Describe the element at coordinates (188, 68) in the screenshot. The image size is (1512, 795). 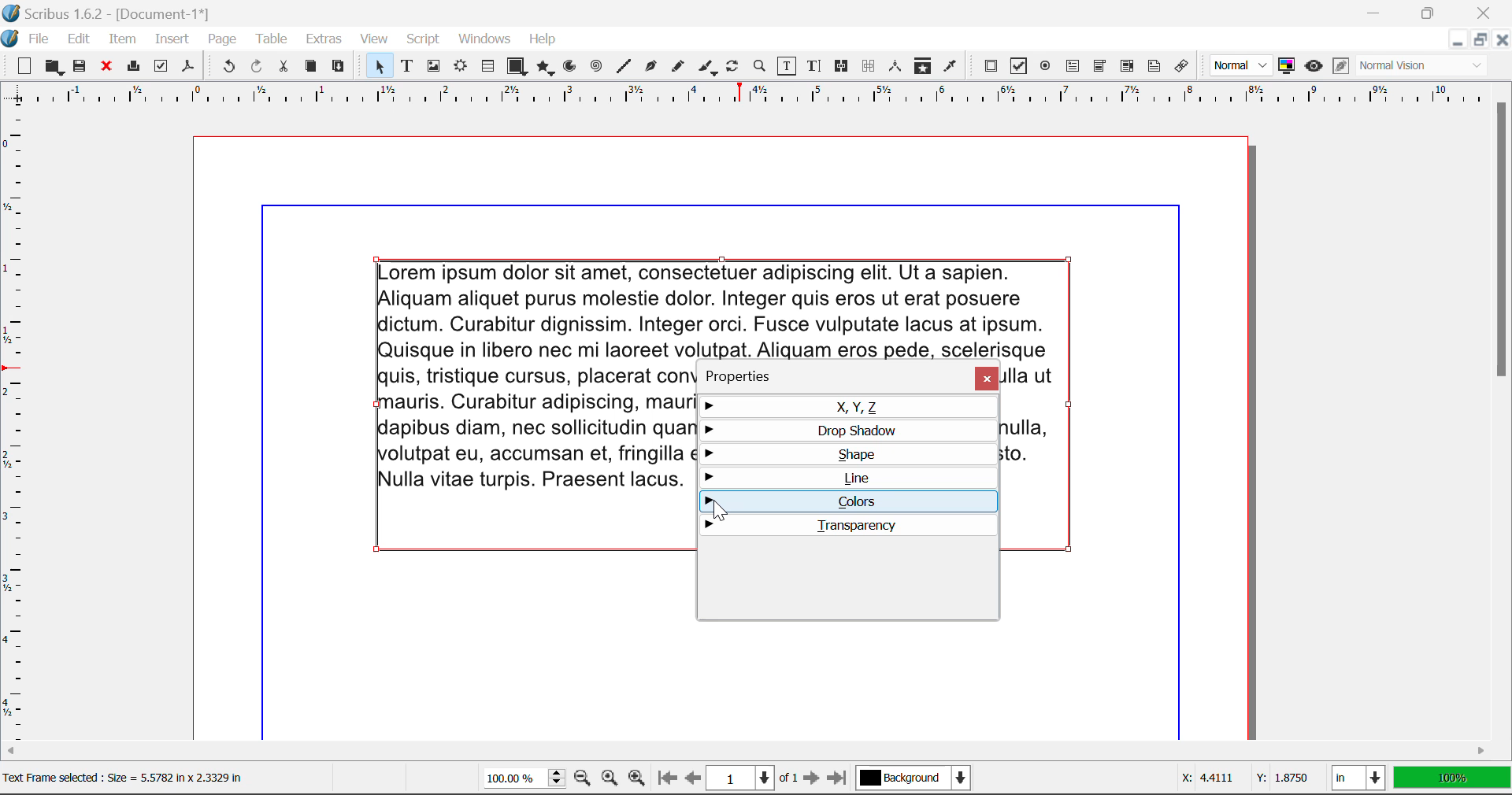
I see `Save as Pdf` at that location.